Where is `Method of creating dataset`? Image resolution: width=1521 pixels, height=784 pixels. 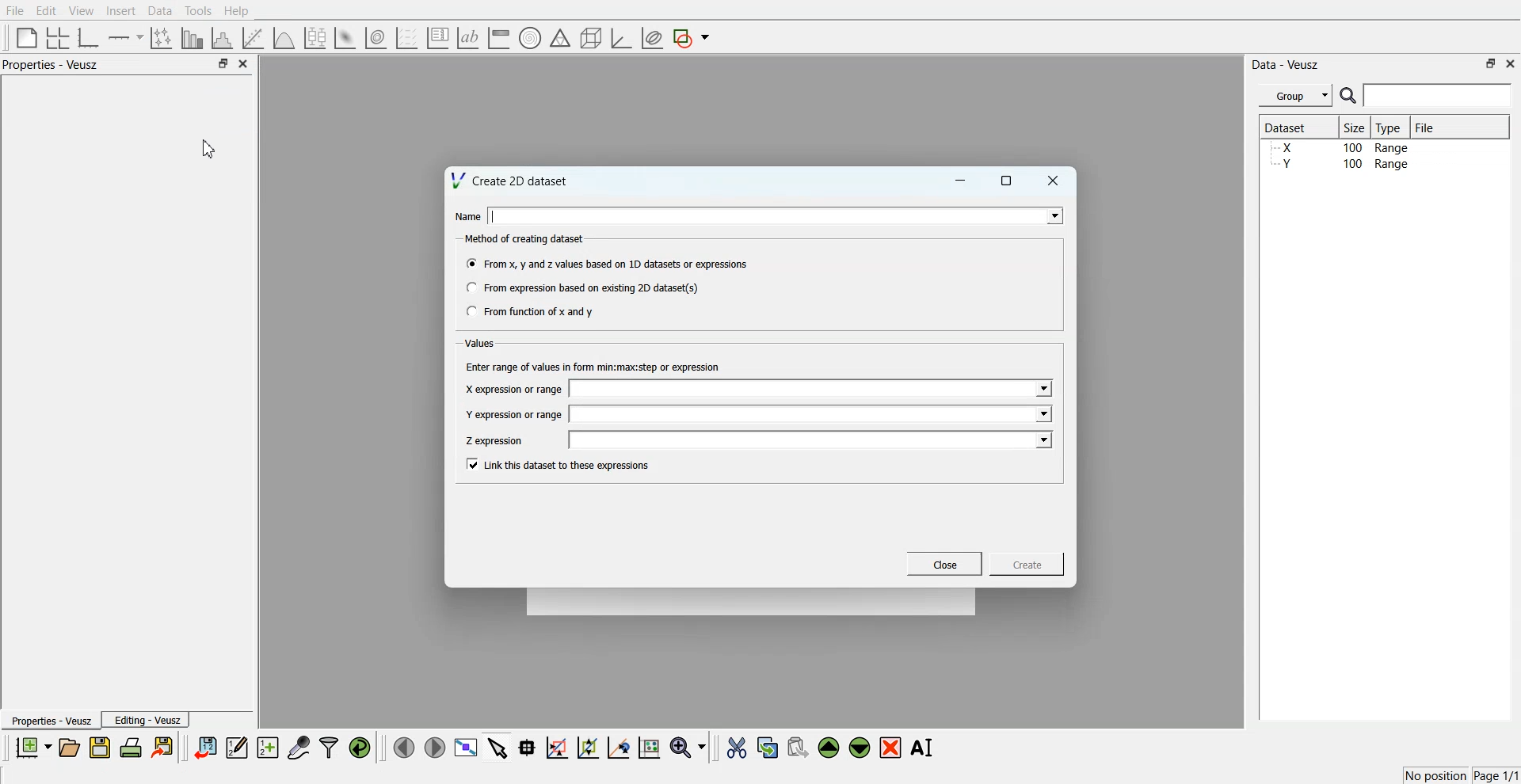
Method of creating dataset is located at coordinates (526, 239).